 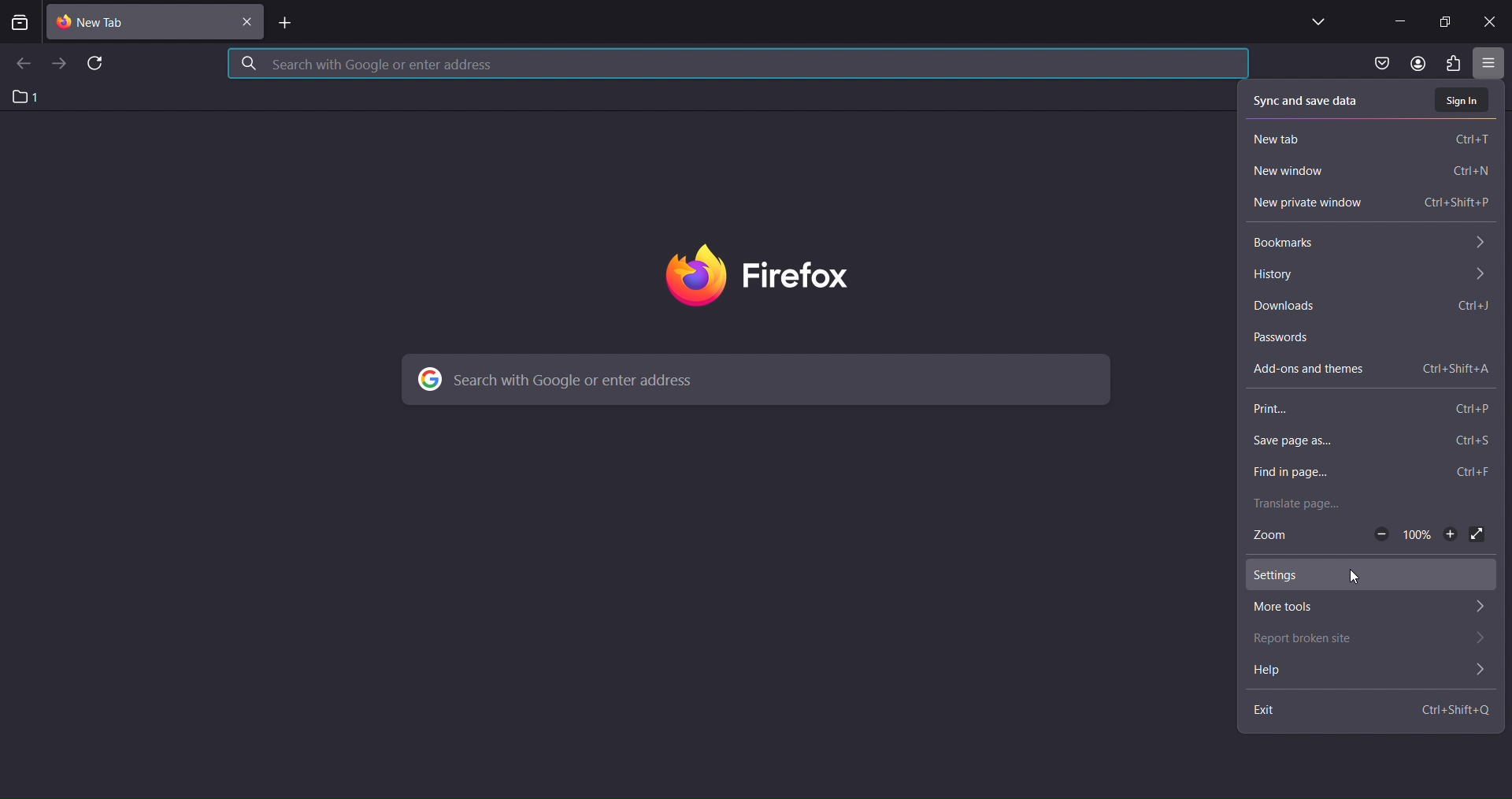 I want to click on more tools, so click(x=1371, y=609).